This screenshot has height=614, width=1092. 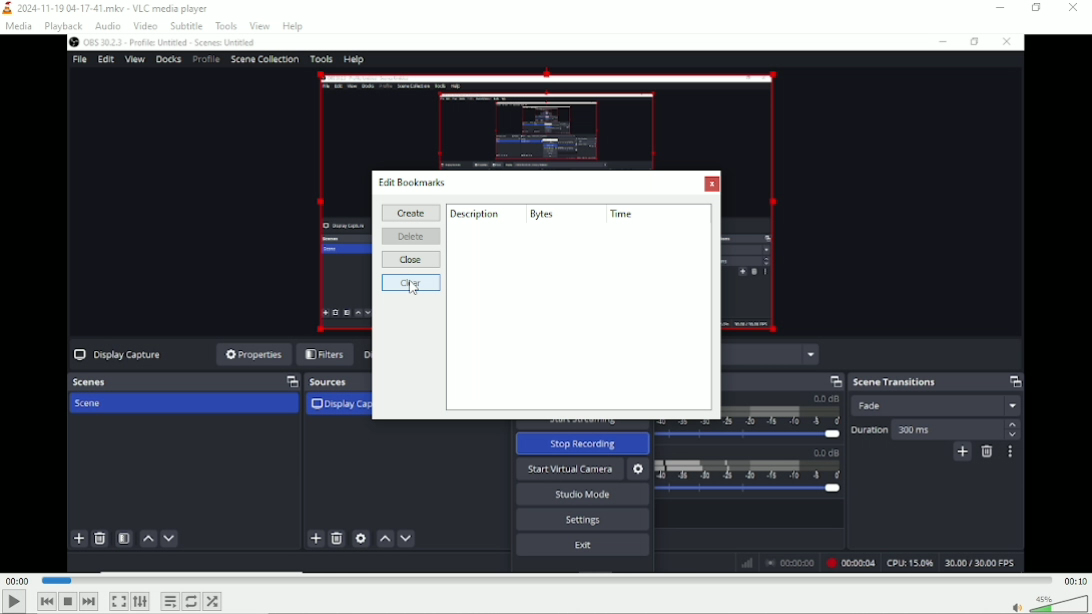 I want to click on Play duration, so click(x=545, y=579).